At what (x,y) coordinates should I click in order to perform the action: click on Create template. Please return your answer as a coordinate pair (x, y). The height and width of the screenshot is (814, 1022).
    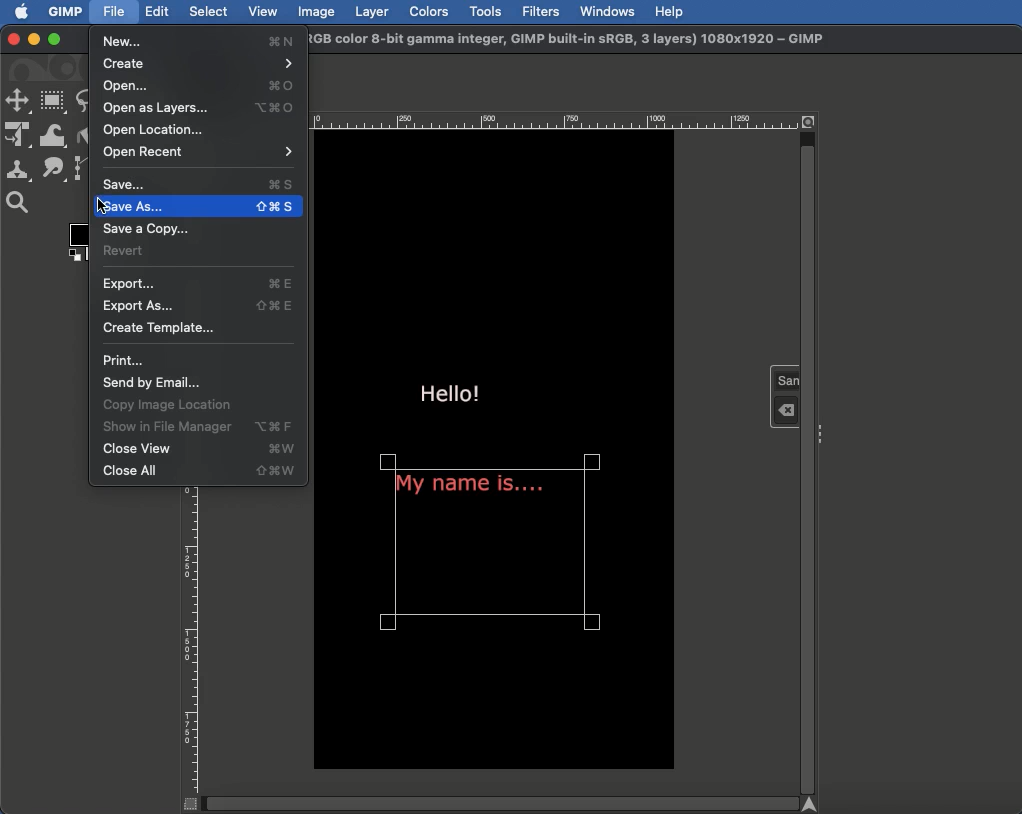
    Looking at the image, I should click on (163, 329).